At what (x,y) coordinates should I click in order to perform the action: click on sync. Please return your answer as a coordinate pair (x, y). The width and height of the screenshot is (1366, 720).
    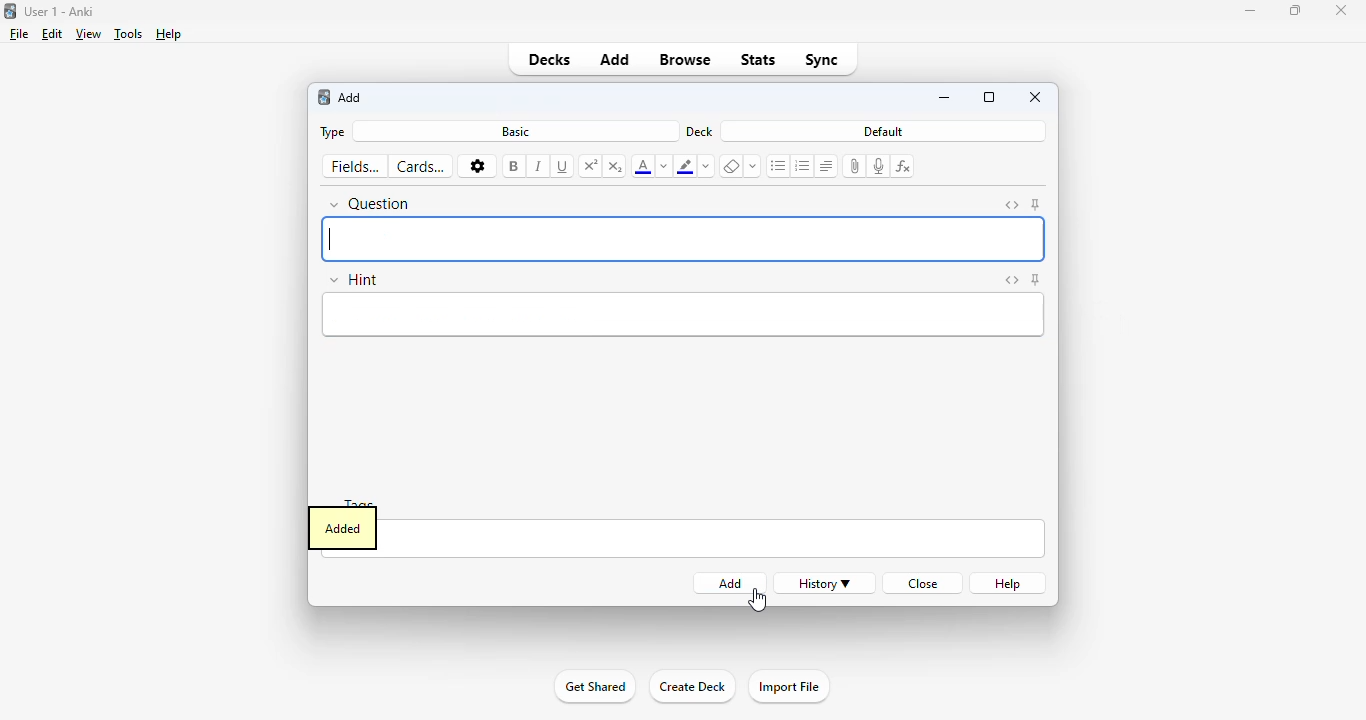
    Looking at the image, I should click on (820, 60).